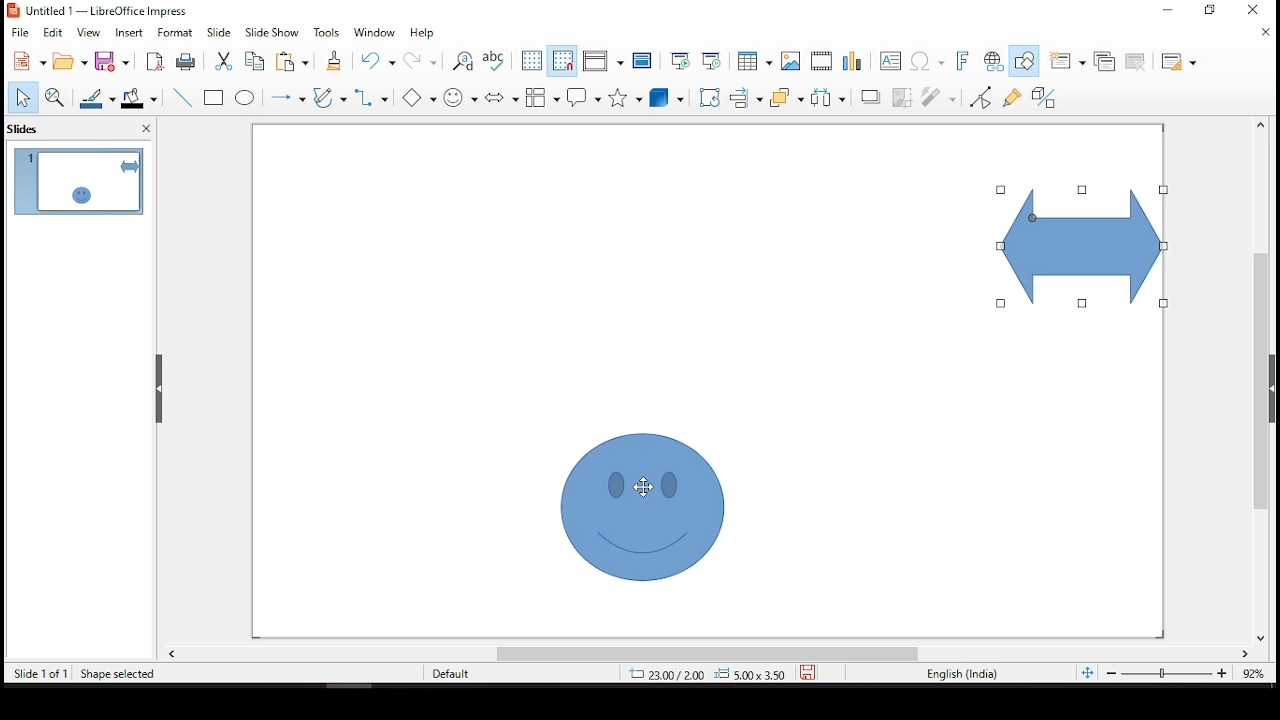 Image resolution: width=1280 pixels, height=720 pixels. I want to click on toggle point edit mode, so click(980, 99).